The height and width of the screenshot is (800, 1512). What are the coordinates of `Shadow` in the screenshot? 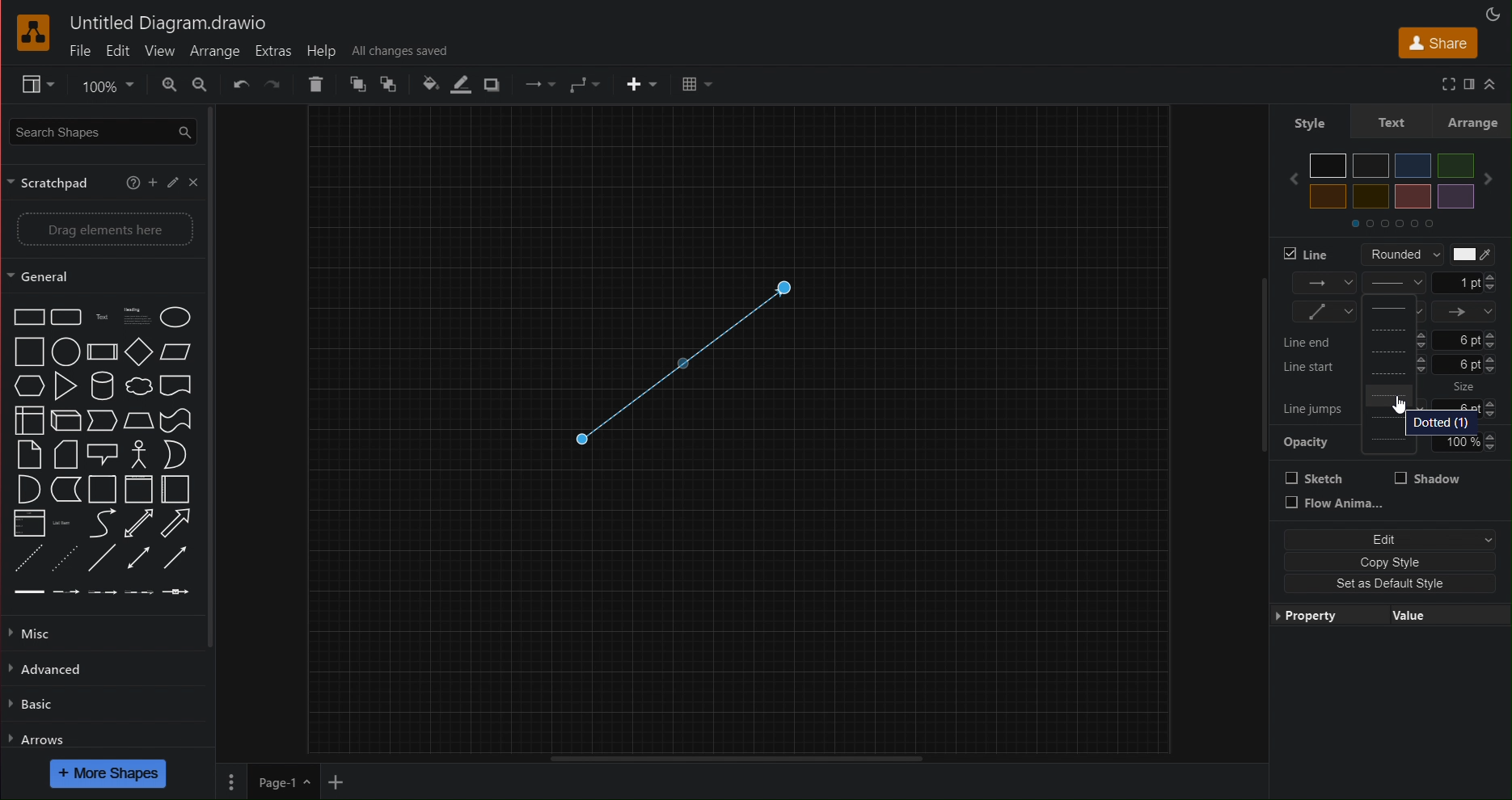 It's located at (494, 86).